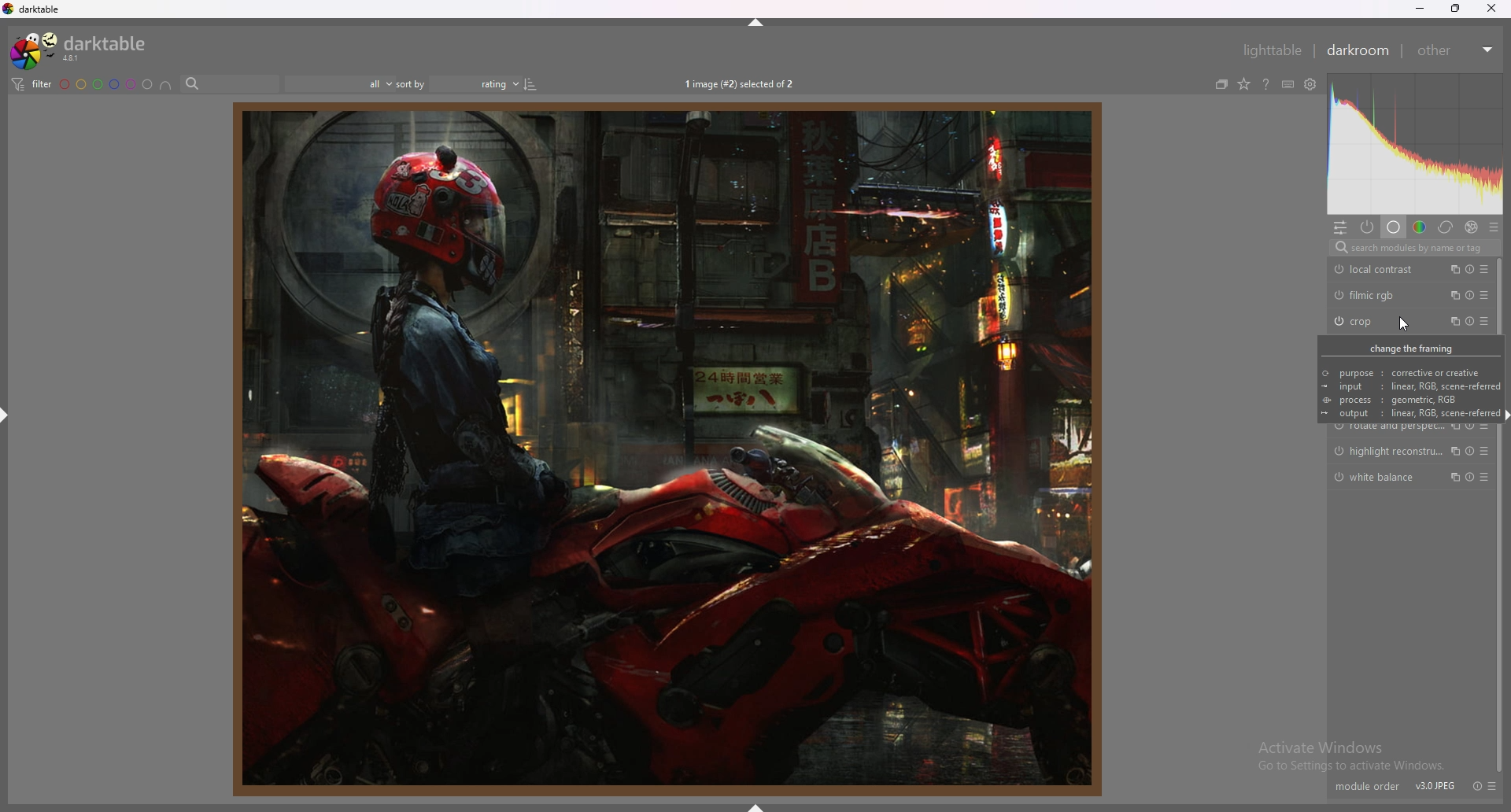 The height and width of the screenshot is (812, 1511). Describe the element at coordinates (229, 83) in the screenshot. I see `search bar` at that location.